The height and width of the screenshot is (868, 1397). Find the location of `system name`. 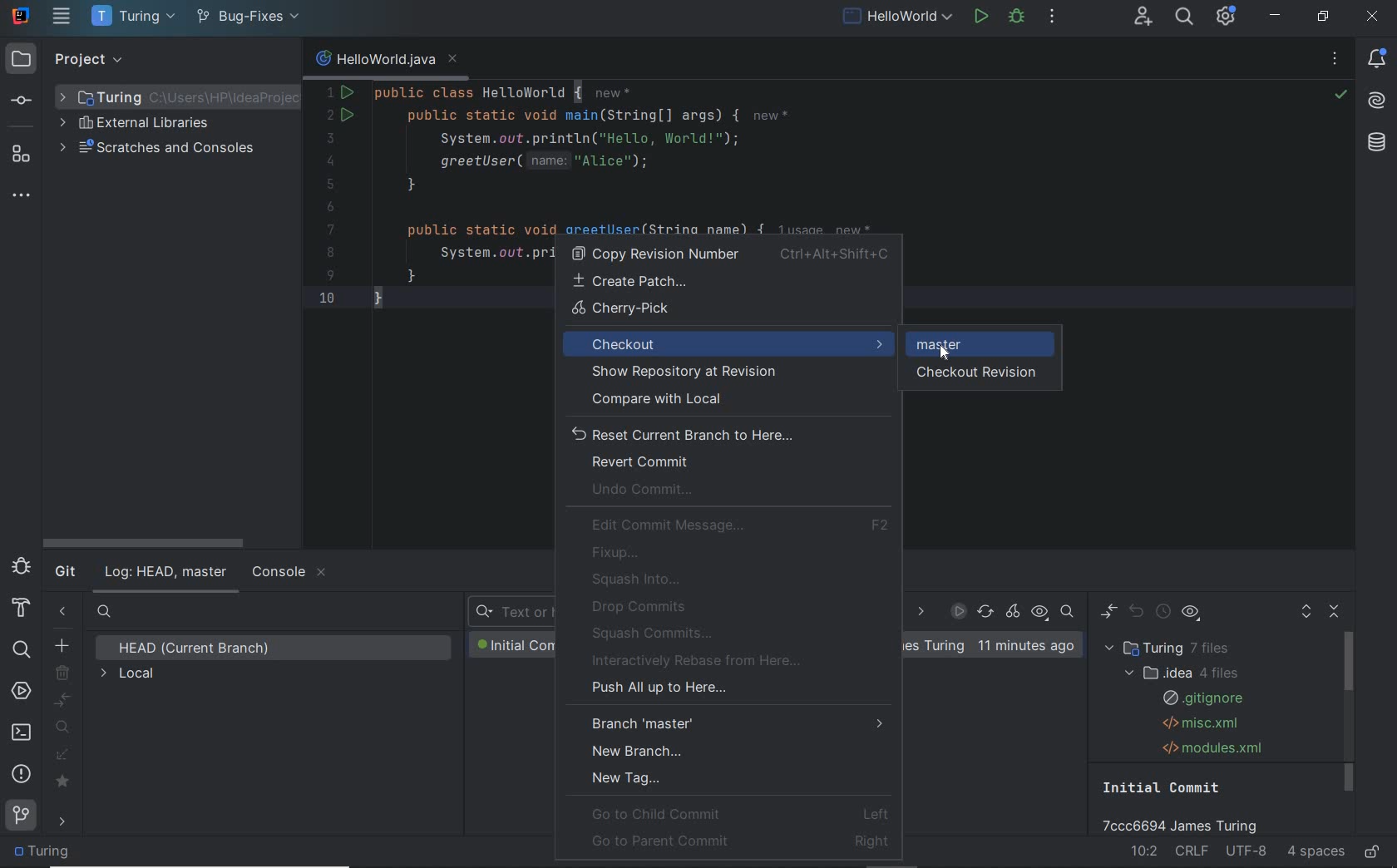

system name is located at coordinates (22, 14).